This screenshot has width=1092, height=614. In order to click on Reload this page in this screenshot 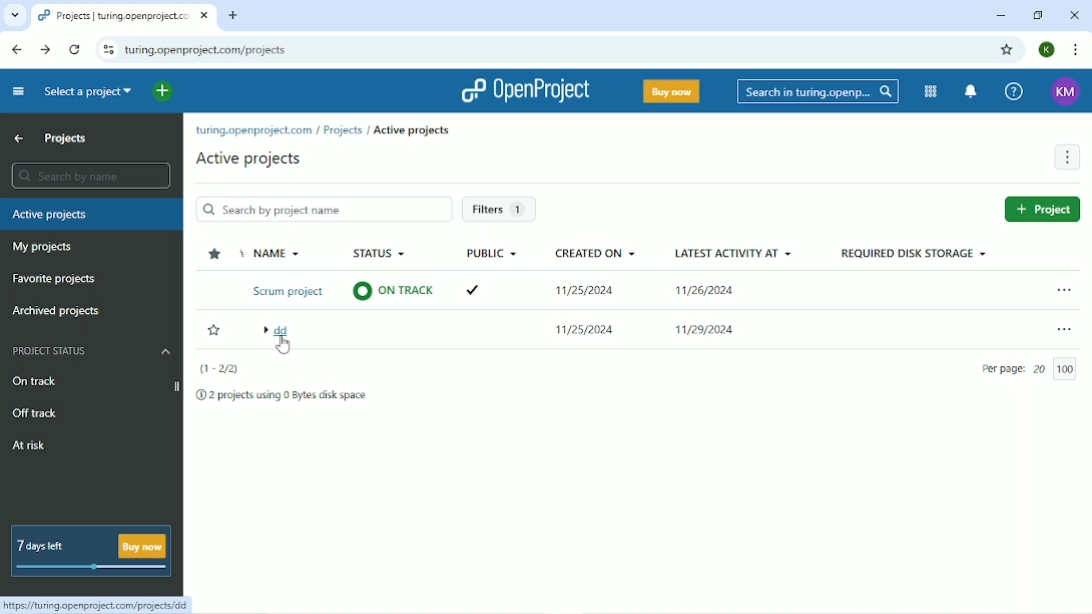, I will do `click(76, 50)`.